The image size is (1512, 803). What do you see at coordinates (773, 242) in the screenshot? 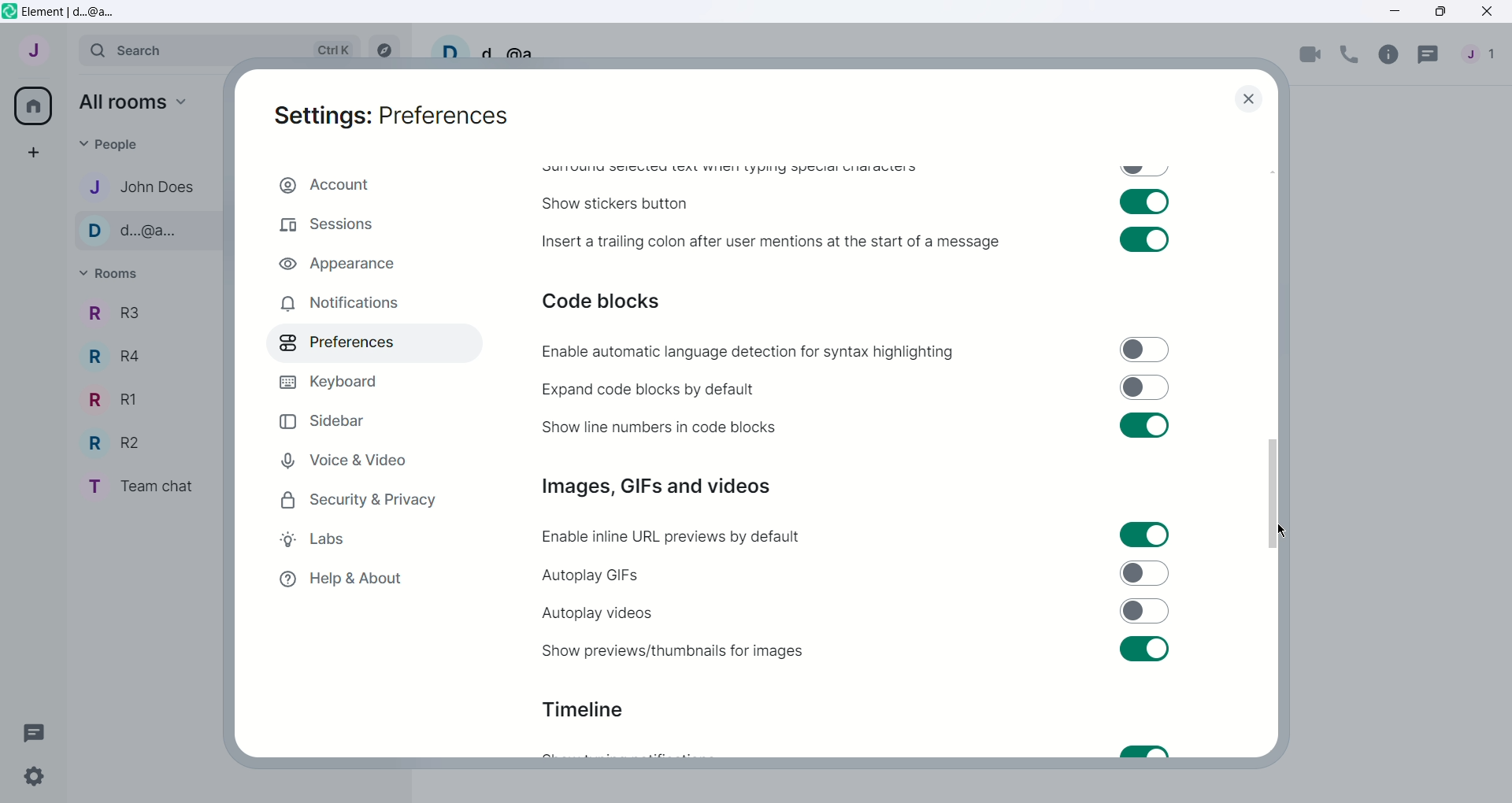
I see `Insert a trailing colon after user mentions at the start of a message` at bounding box center [773, 242].